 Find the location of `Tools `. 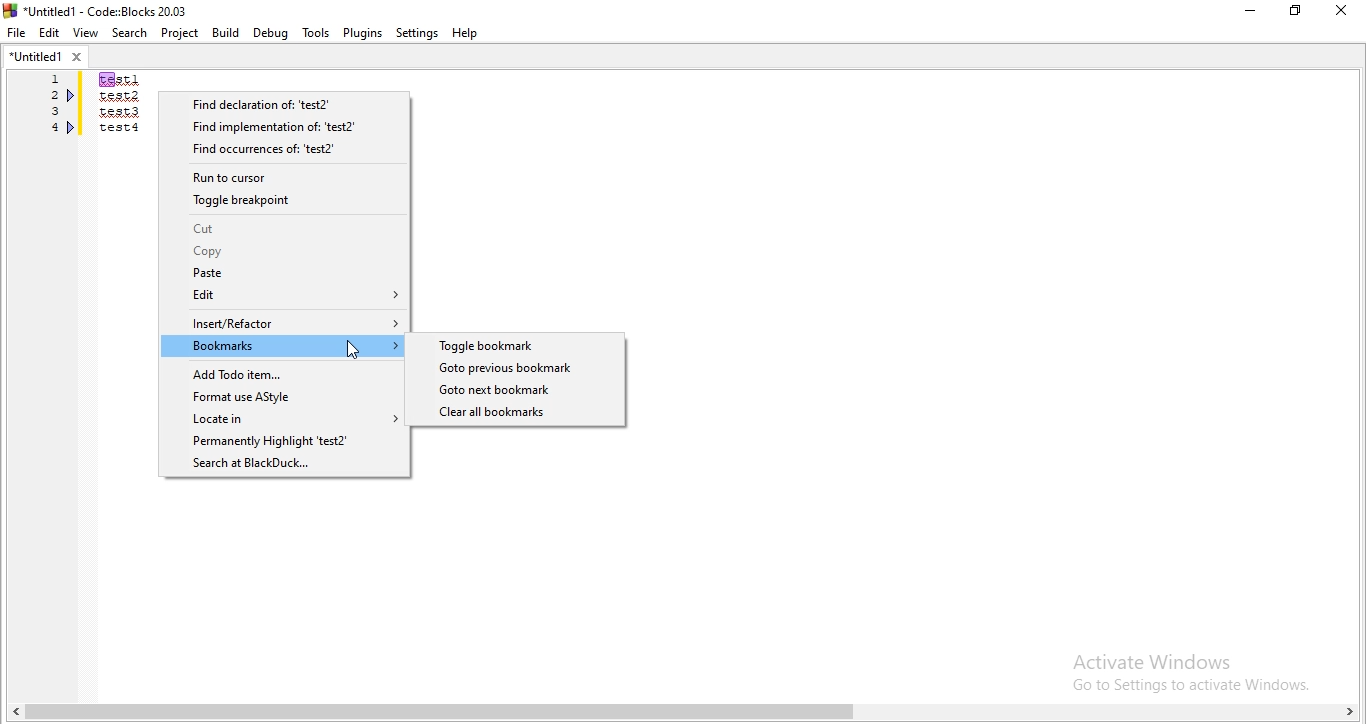

Tools  is located at coordinates (315, 33).